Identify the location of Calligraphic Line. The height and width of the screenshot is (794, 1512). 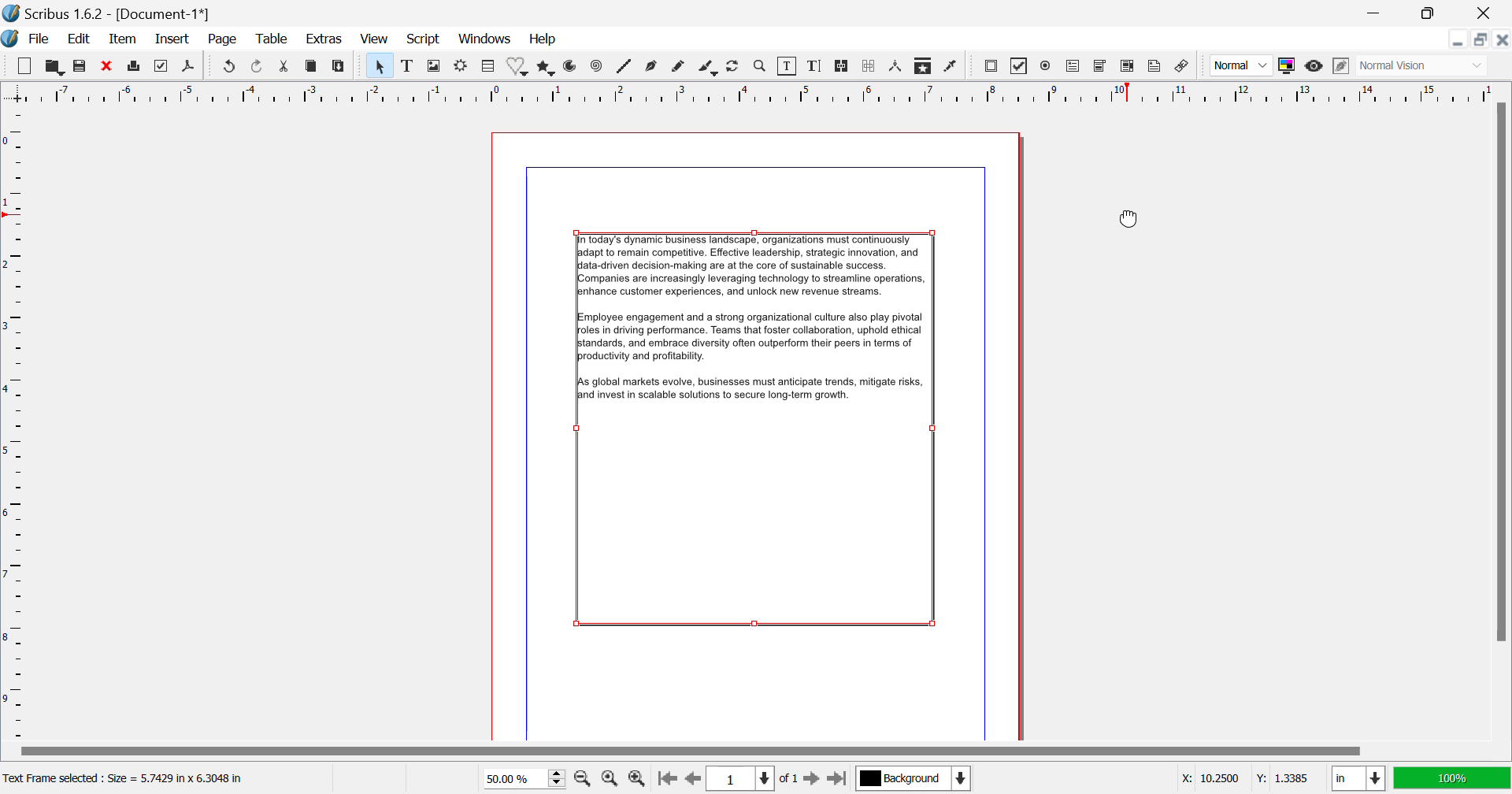
(710, 66).